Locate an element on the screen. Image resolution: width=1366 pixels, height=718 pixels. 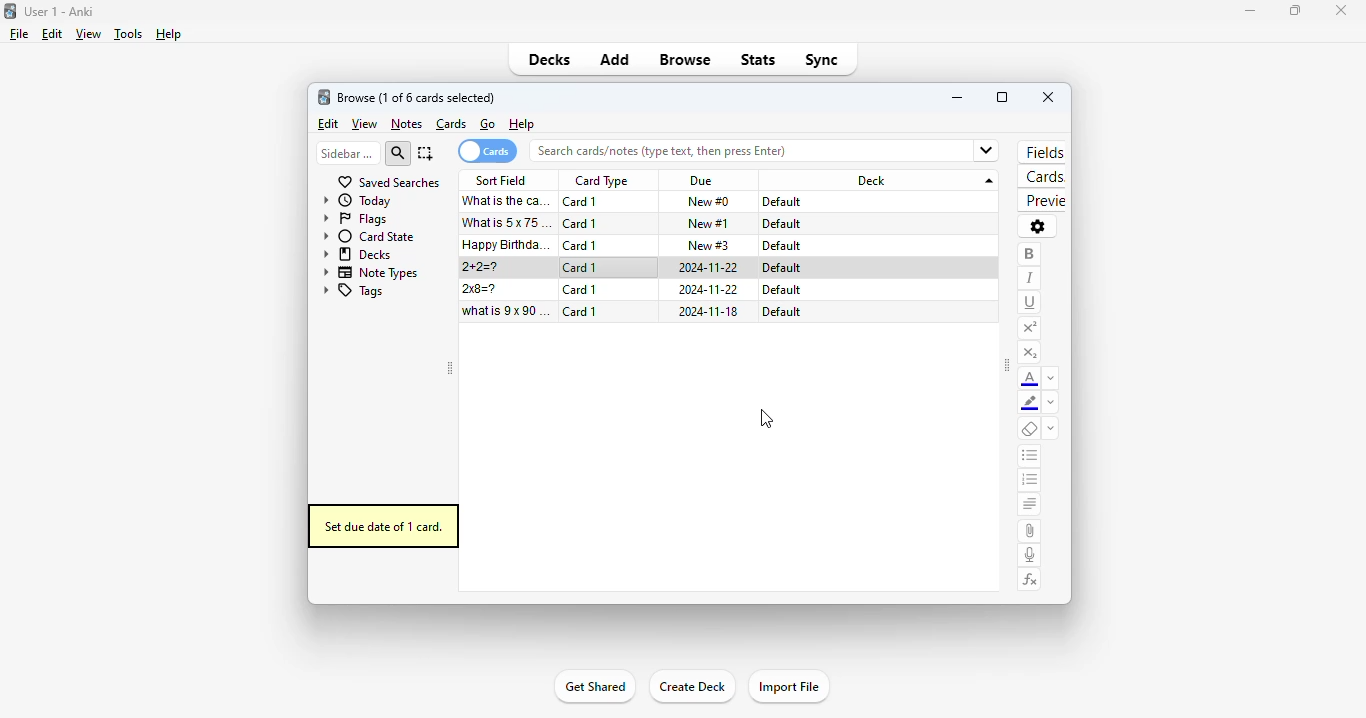
2024-11-18 is located at coordinates (709, 312).